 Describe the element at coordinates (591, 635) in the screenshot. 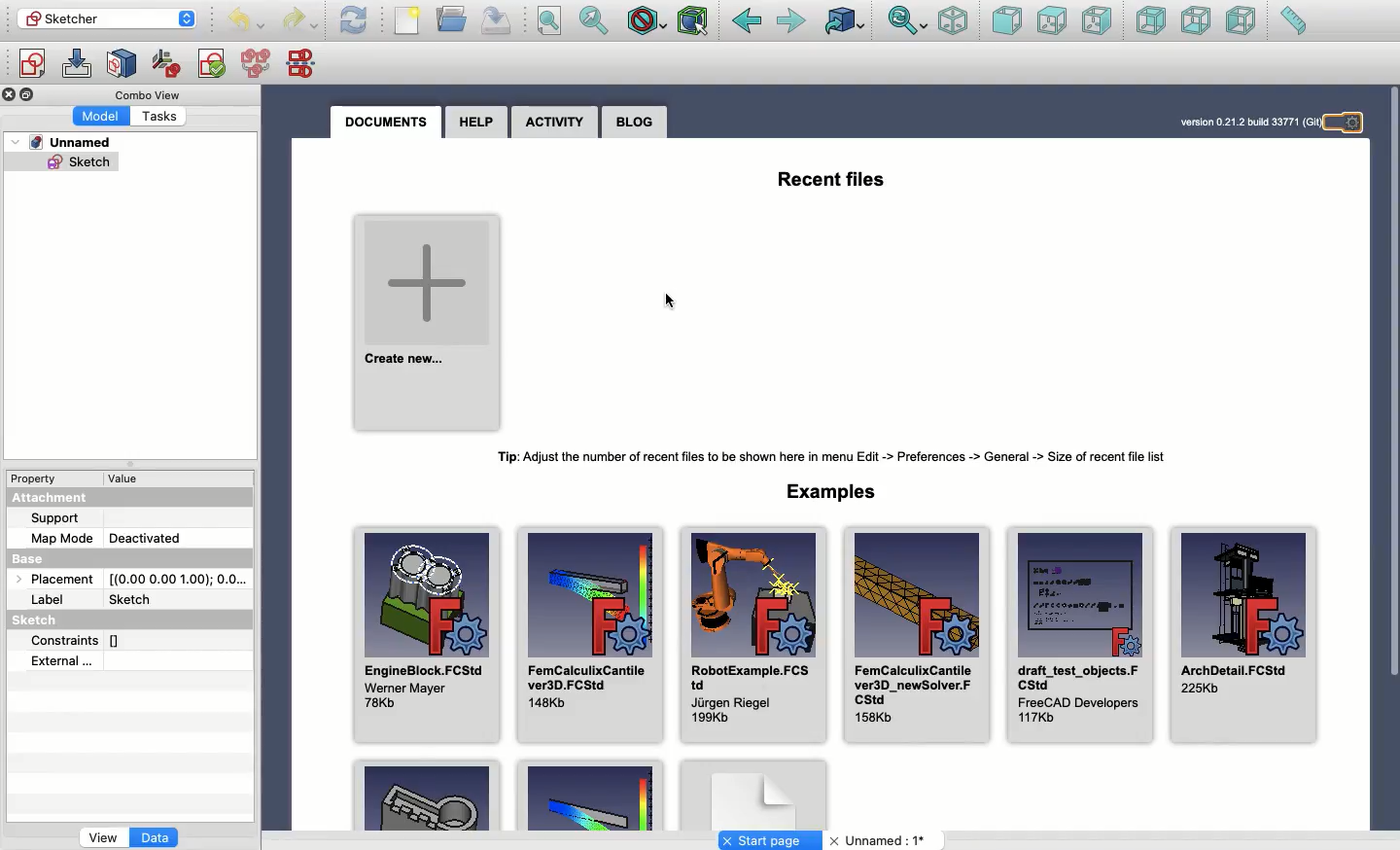

I see `FemCalculixCantile ver3D.FCStd 148Kb` at that location.